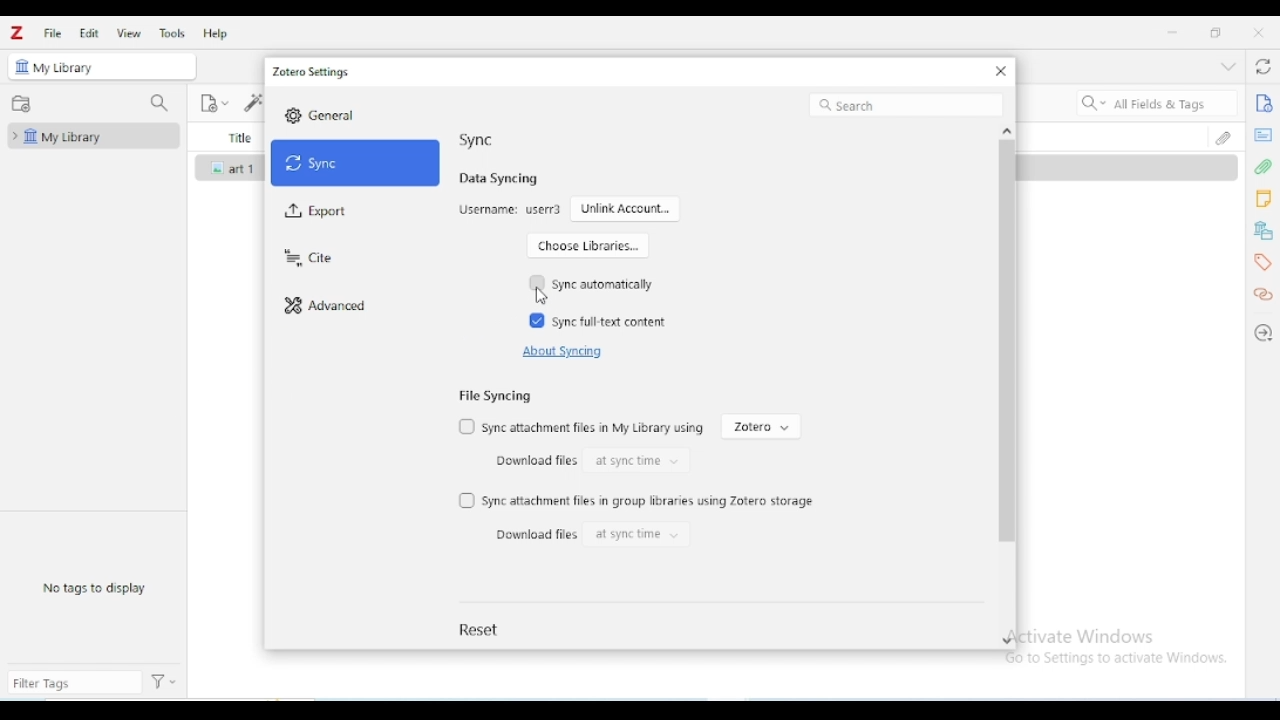 This screenshot has width=1280, height=720. Describe the element at coordinates (356, 163) in the screenshot. I see `sync` at that location.